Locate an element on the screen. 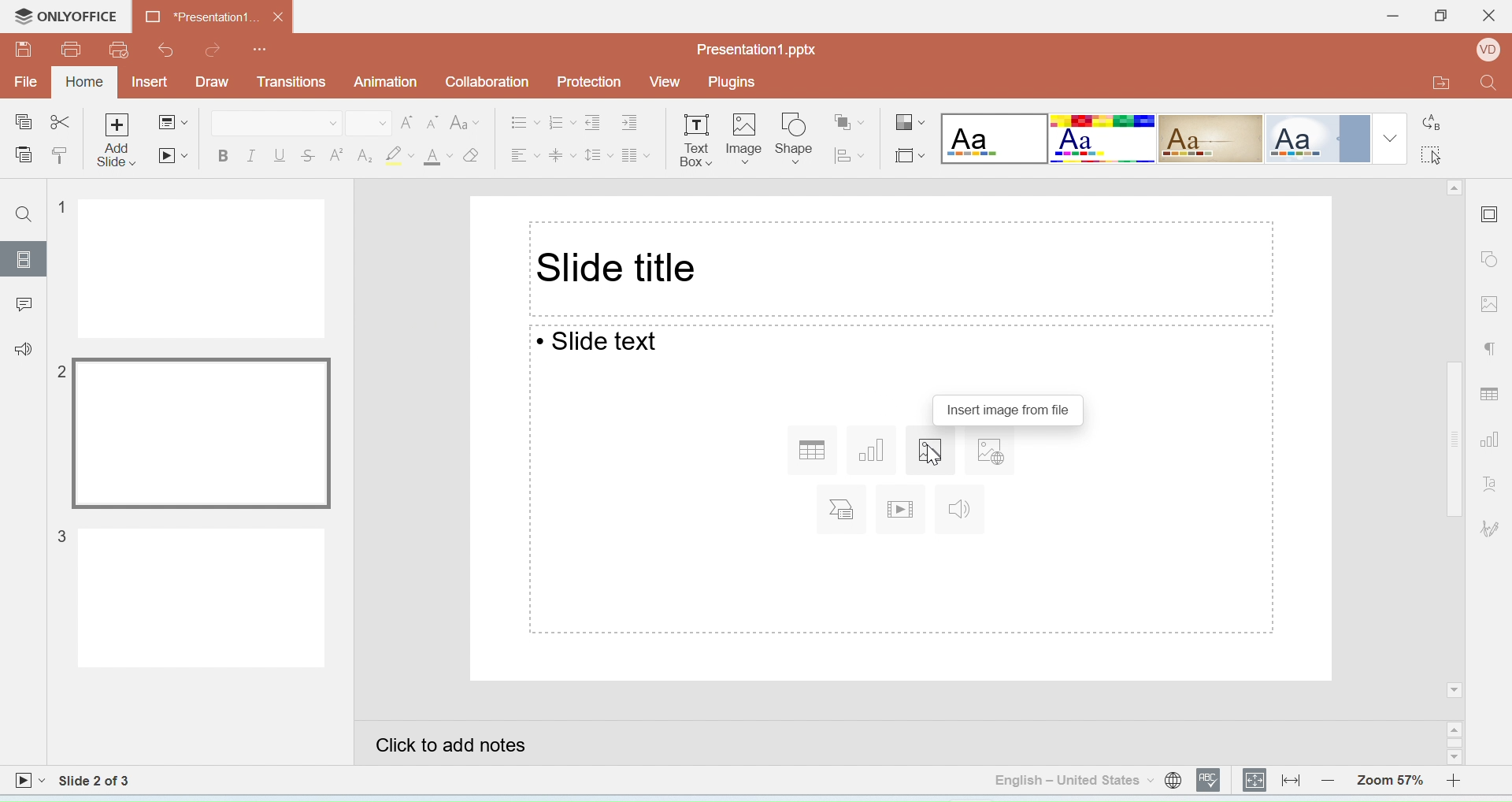 This screenshot has height=802, width=1512. Decrement font size is located at coordinates (432, 124).